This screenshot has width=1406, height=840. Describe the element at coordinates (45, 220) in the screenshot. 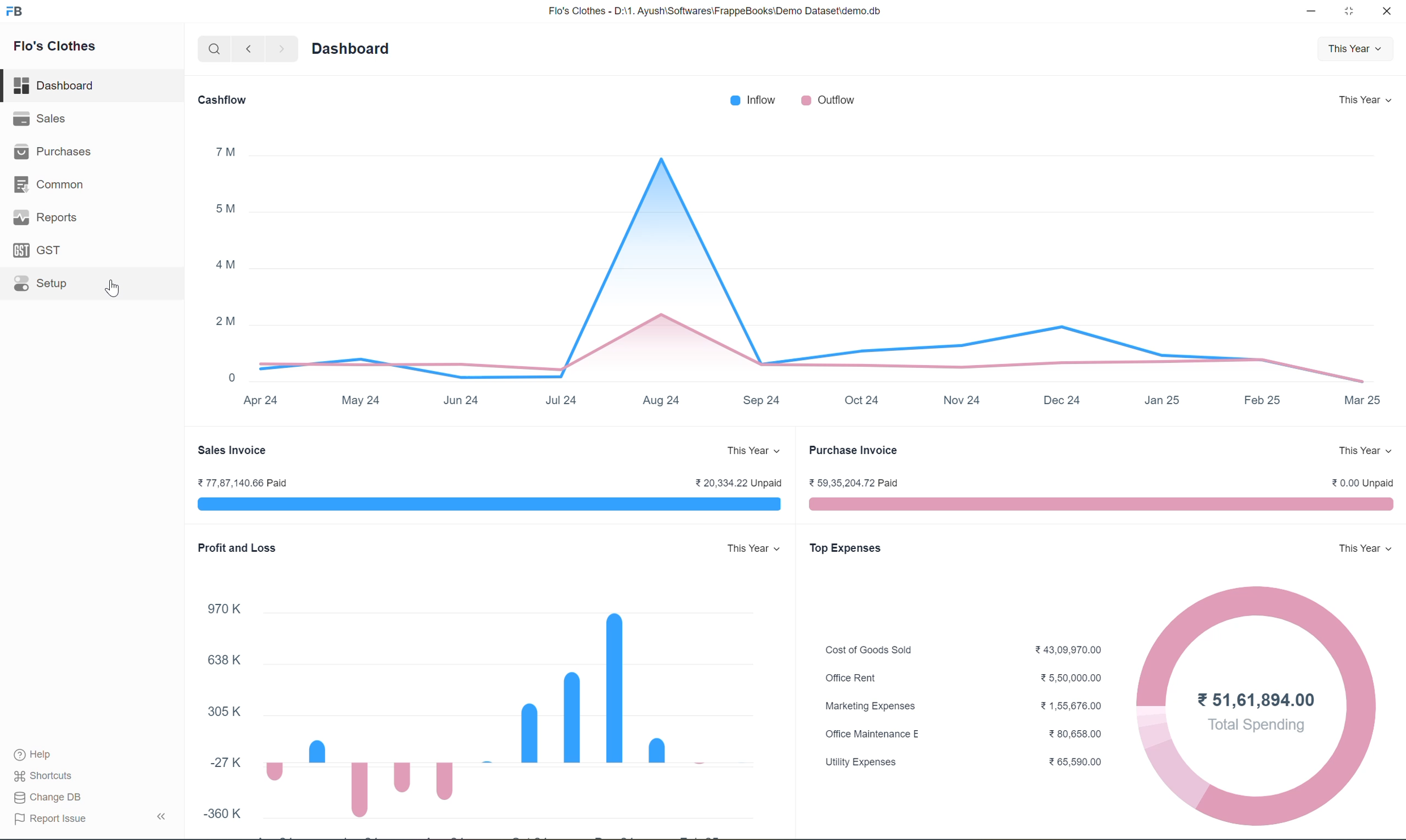

I see `Reports` at that location.